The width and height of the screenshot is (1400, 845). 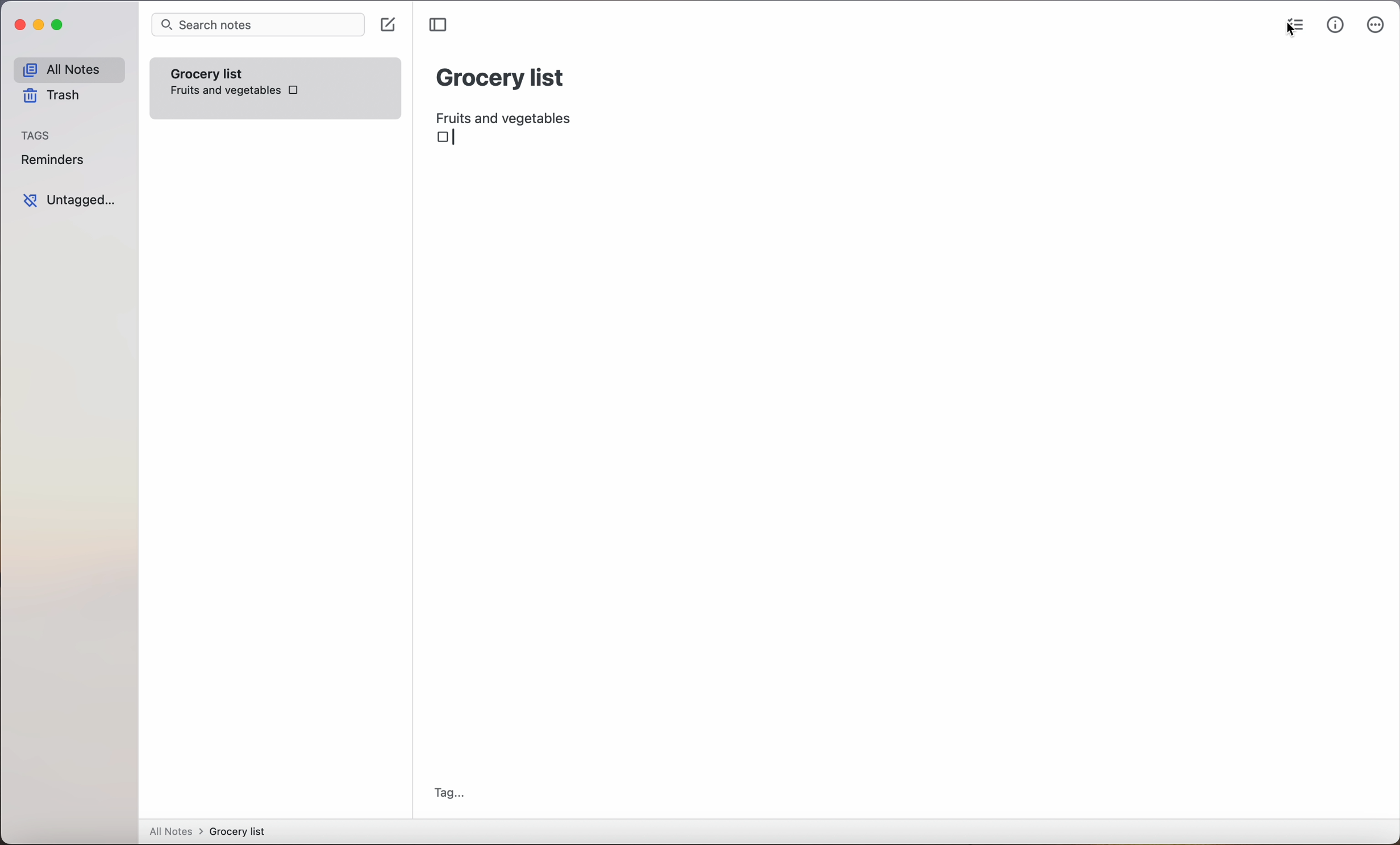 What do you see at coordinates (52, 162) in the screenshot?
I see `reminders` at bounding box center [52, 162].